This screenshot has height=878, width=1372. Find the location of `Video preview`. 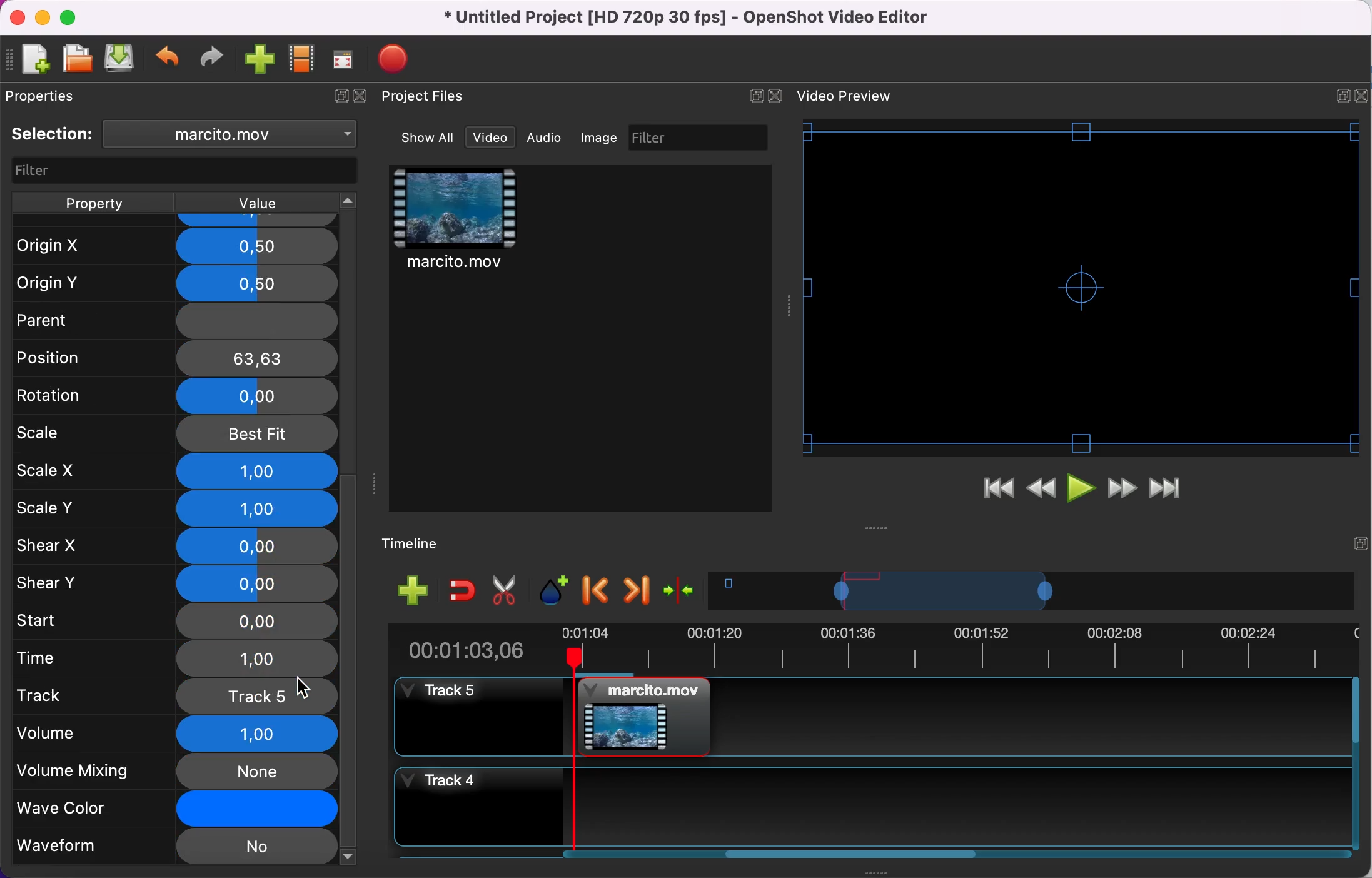

Video preview is located at coordinates (1081, 287).